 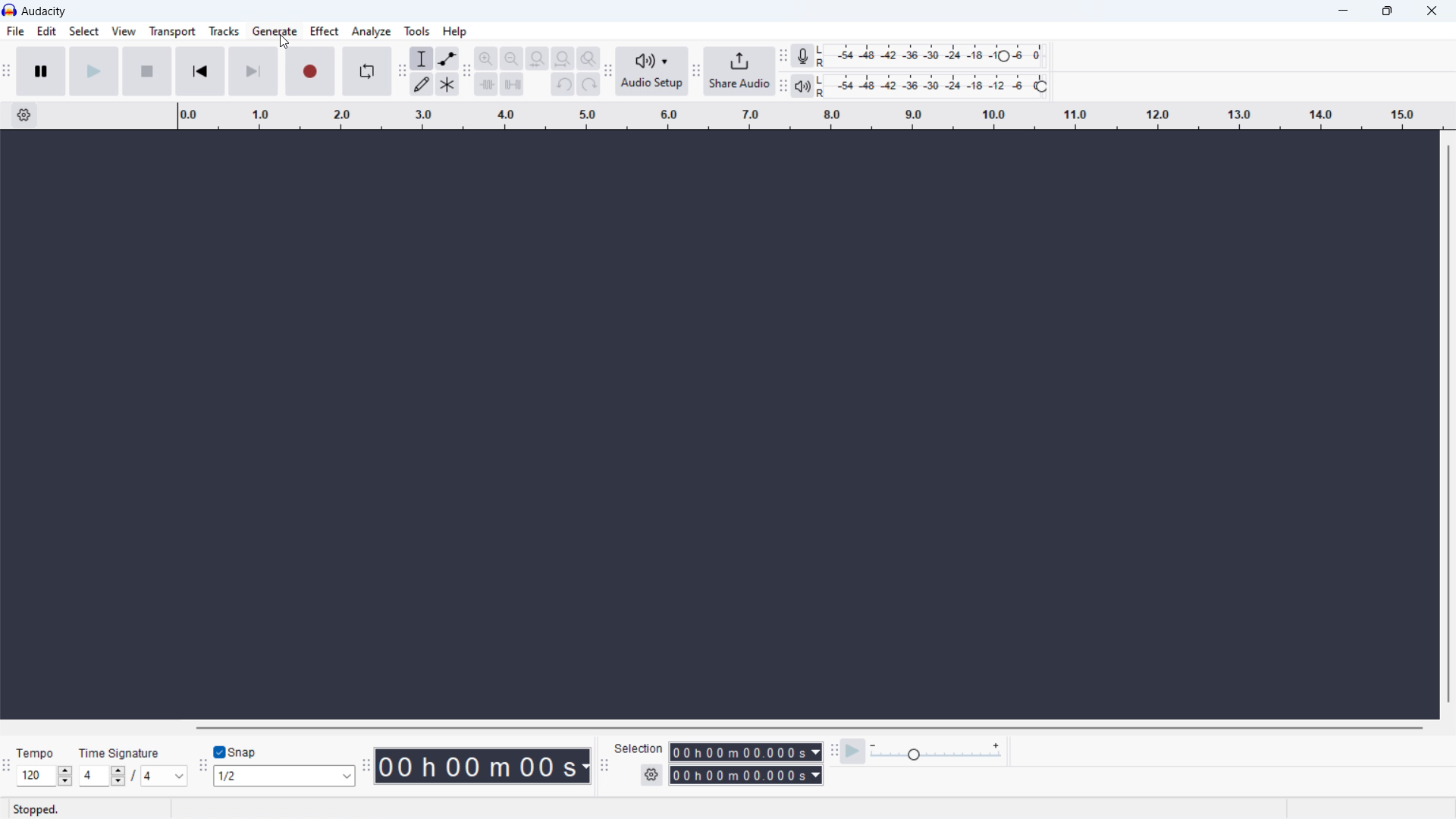 I want to click on zoom out, so click(x=511, y=58).